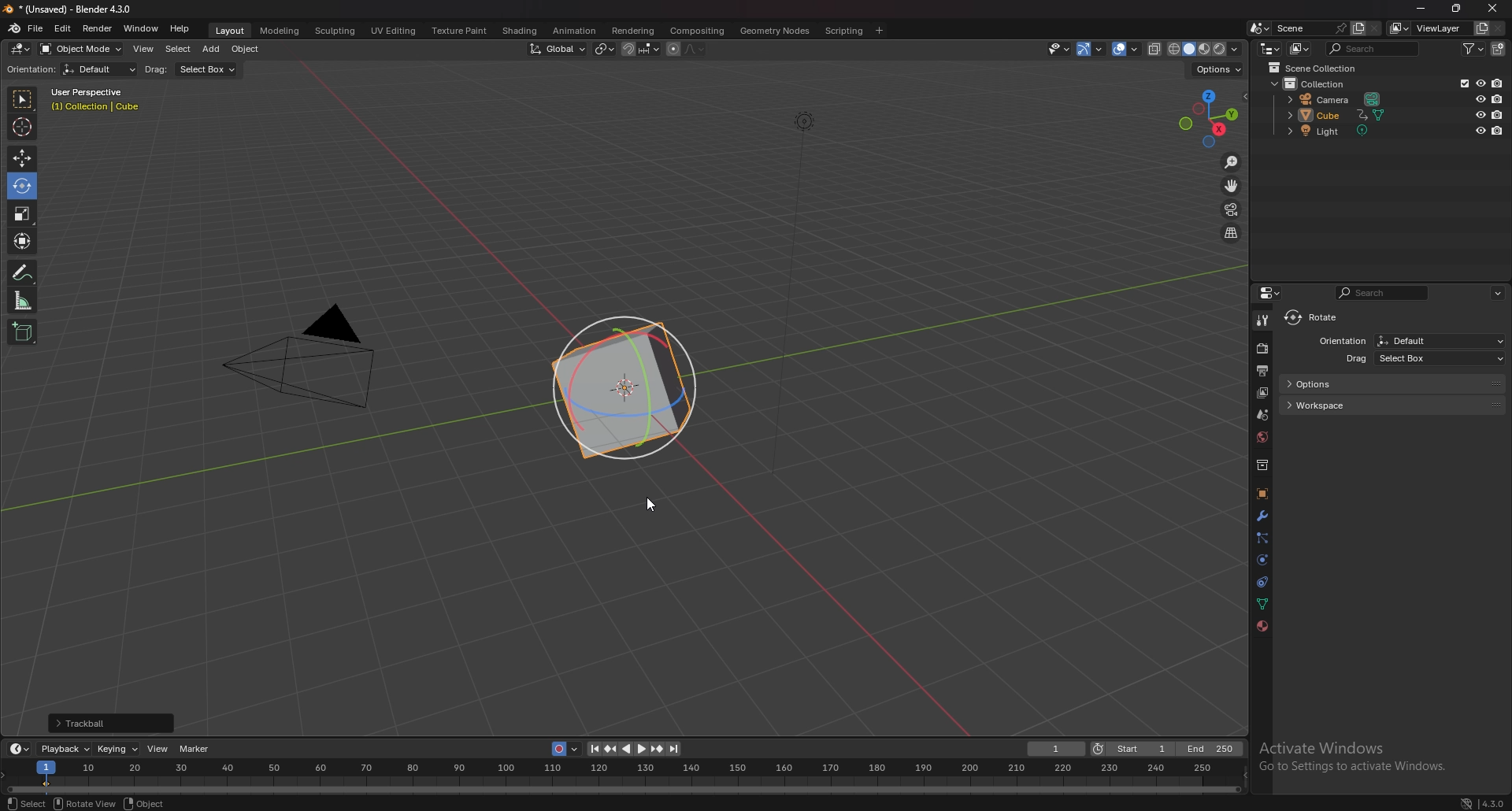 This screenshot has width=1512, height=811. Describe the element at coordinates (233, 32) in the screenshot. I see `layout` at that location.